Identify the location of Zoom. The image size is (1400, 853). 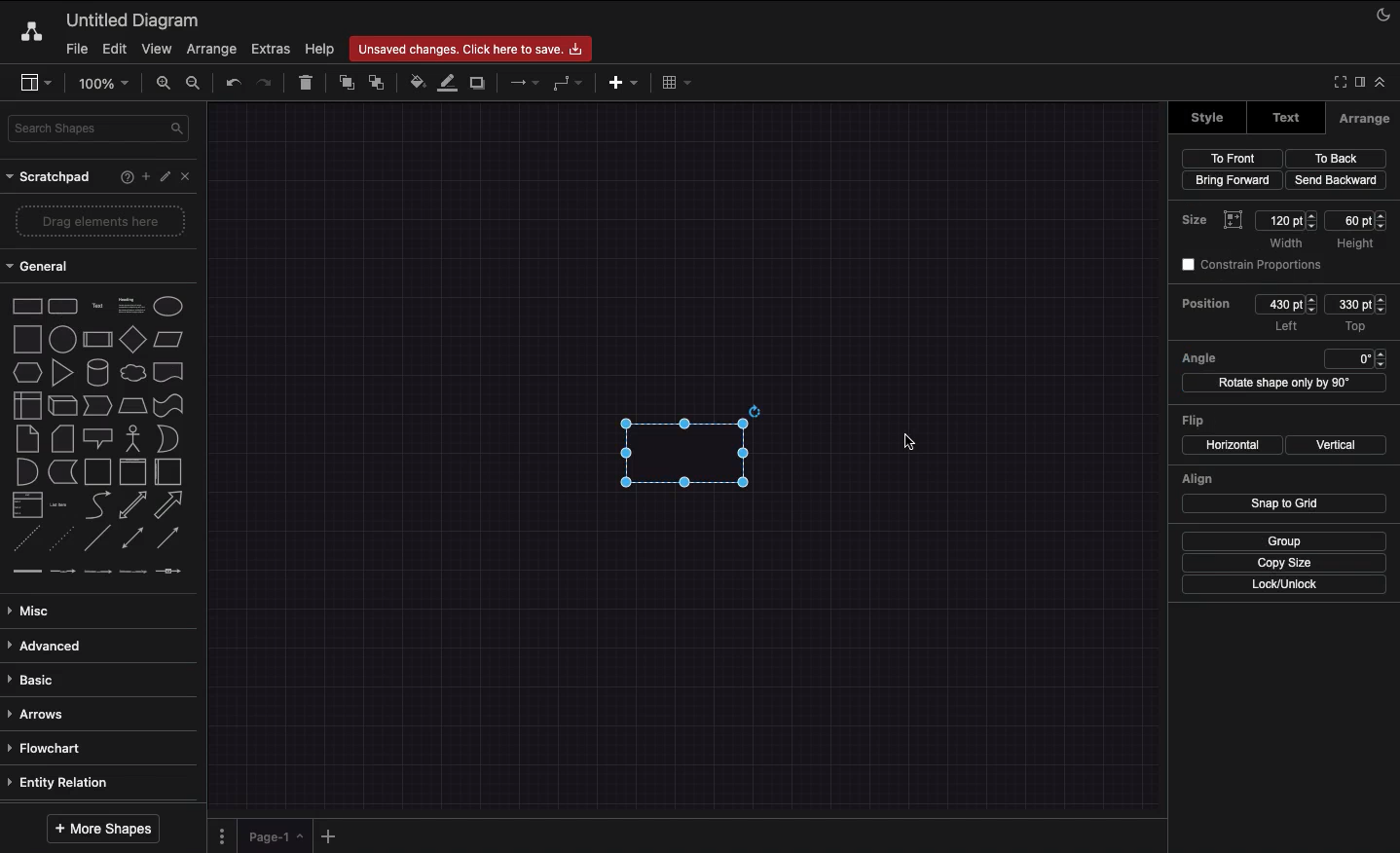
(105, 86).